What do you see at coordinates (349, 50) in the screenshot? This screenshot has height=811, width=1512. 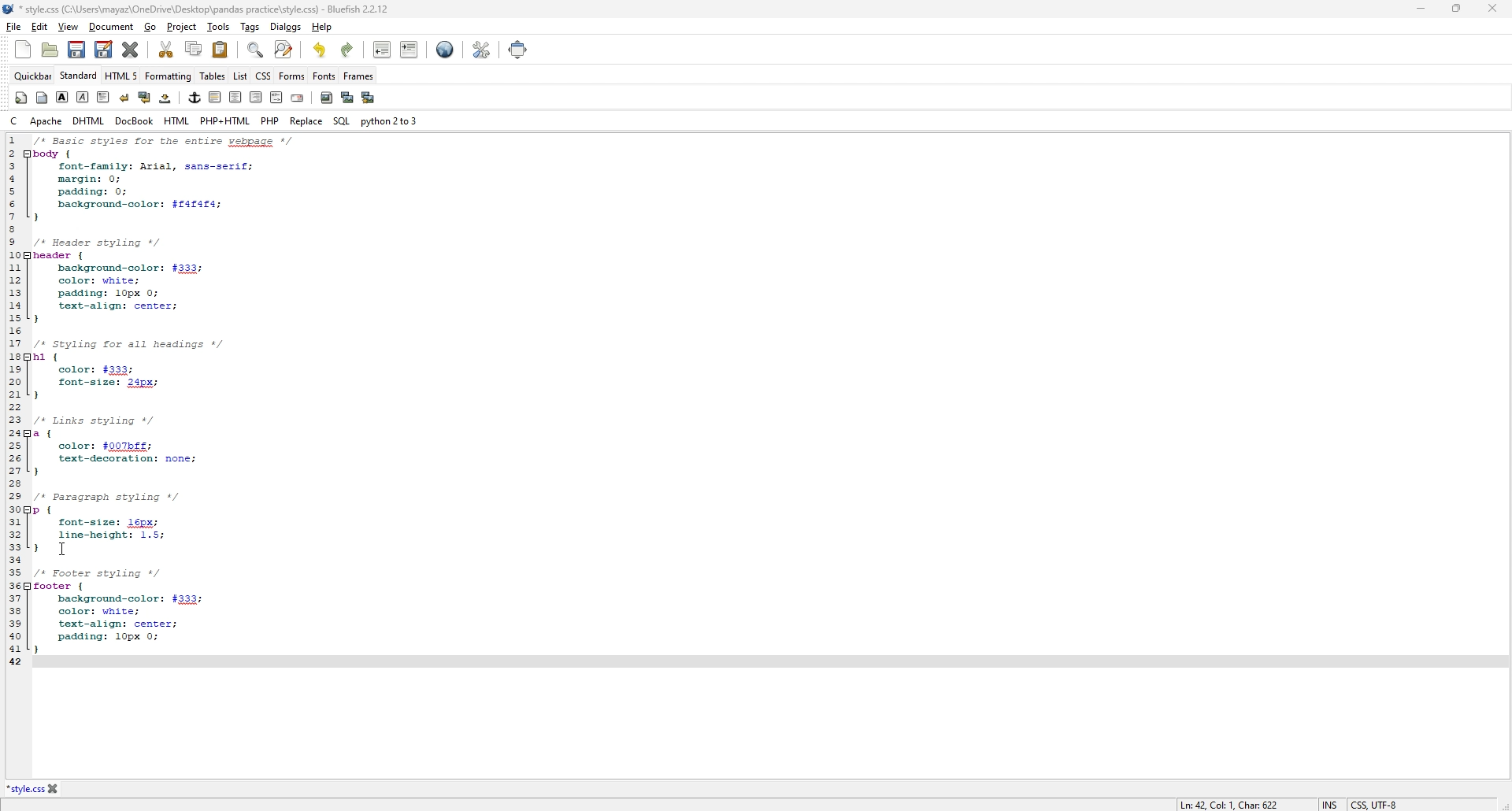 I see `redo` at bounding box center [349, 50].